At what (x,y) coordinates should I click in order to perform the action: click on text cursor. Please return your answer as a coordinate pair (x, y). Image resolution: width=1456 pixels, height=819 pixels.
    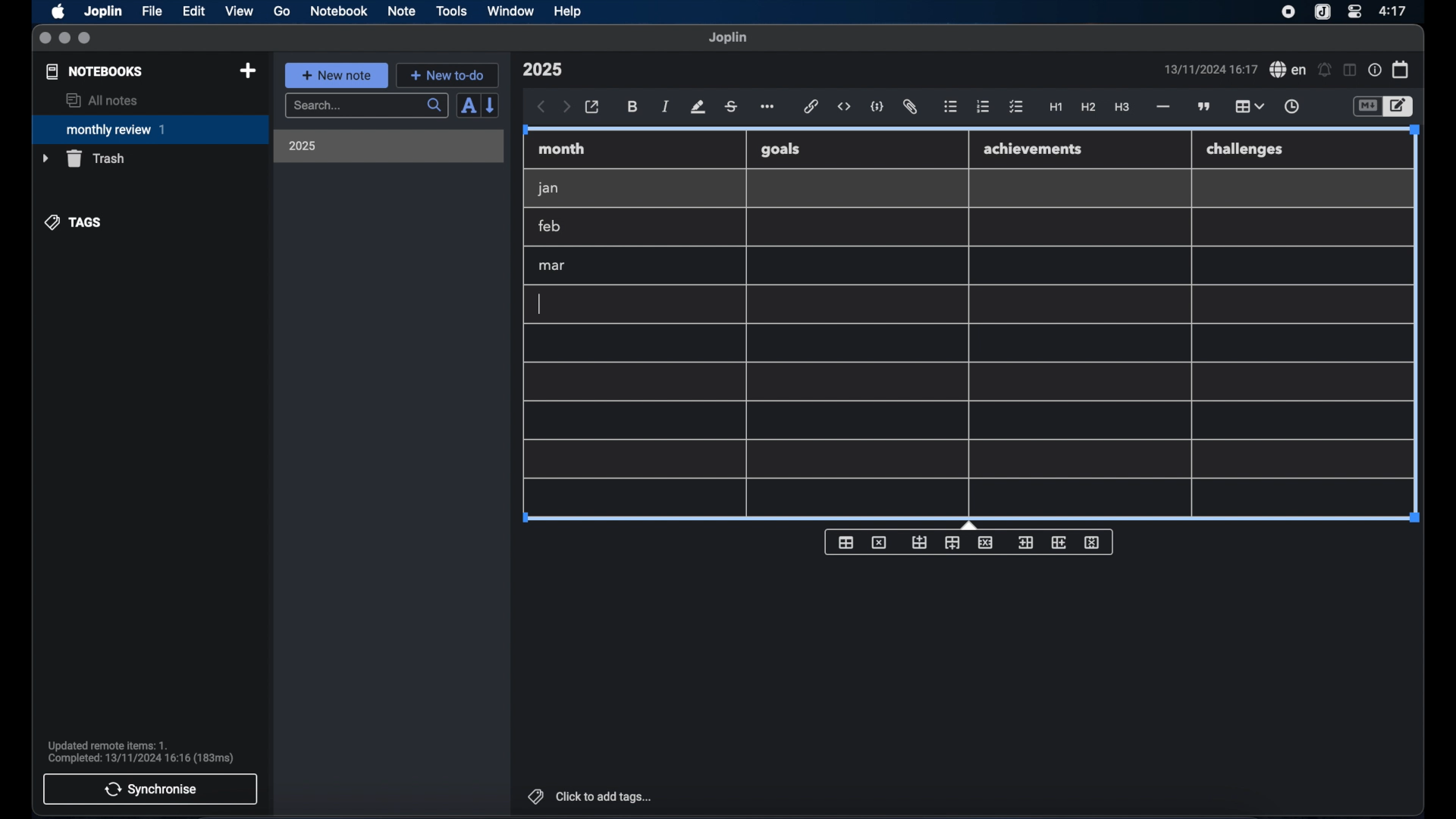
    Looking at the image, I should click on (542, 303).